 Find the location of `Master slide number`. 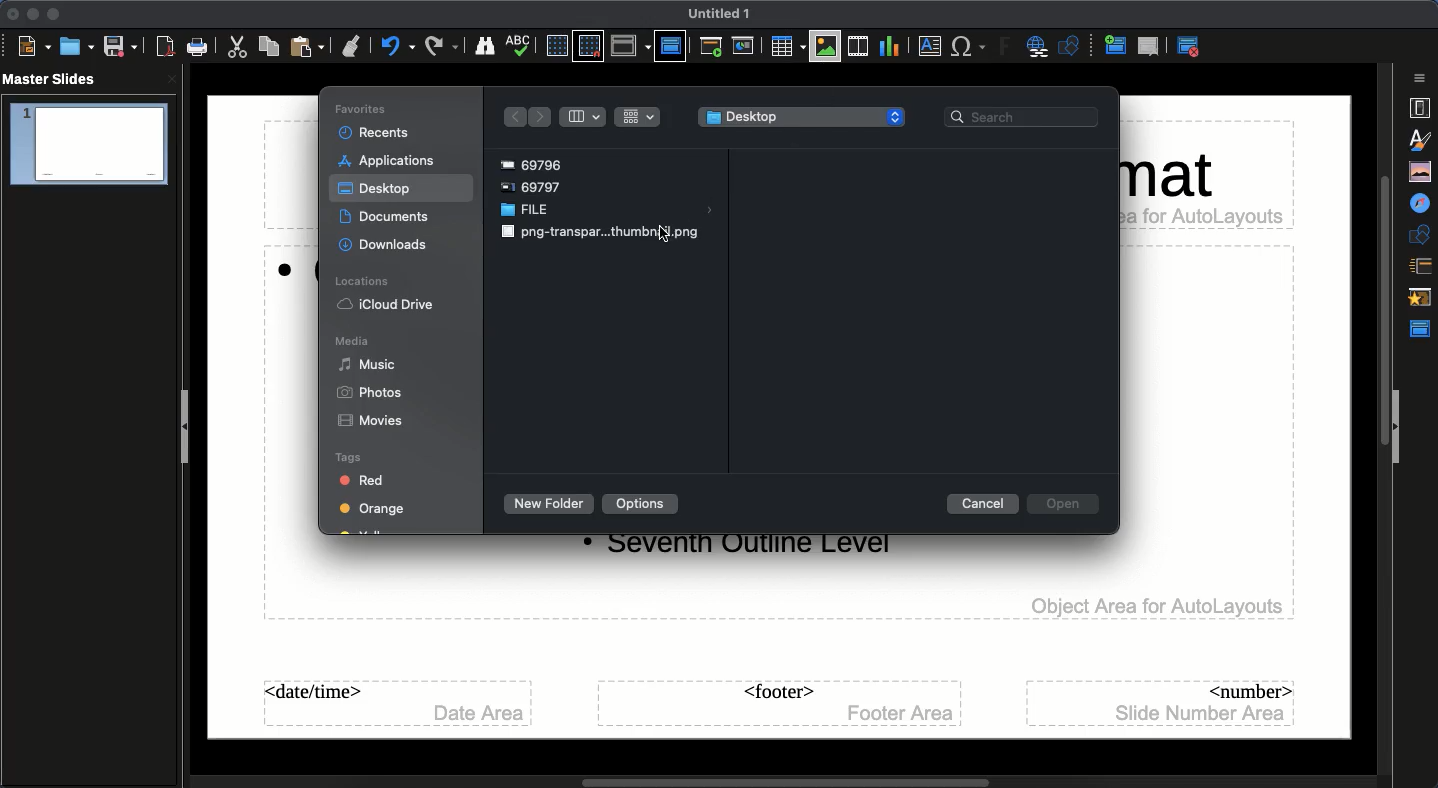

Master slide number is located at coordinates (1163, 702).